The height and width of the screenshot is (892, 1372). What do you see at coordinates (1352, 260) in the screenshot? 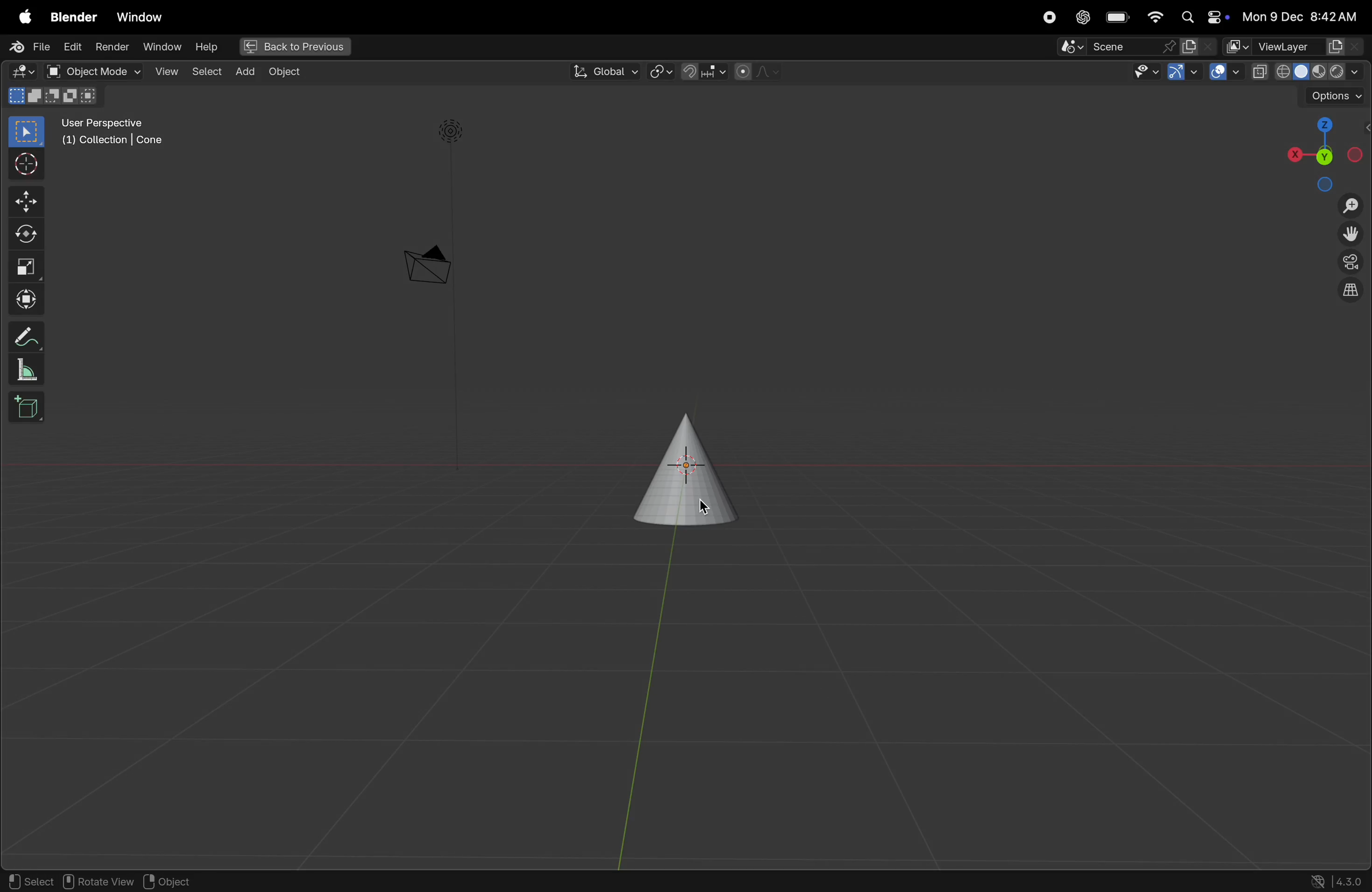
I see `toggle camera view` at bounding box center [1352, 260].